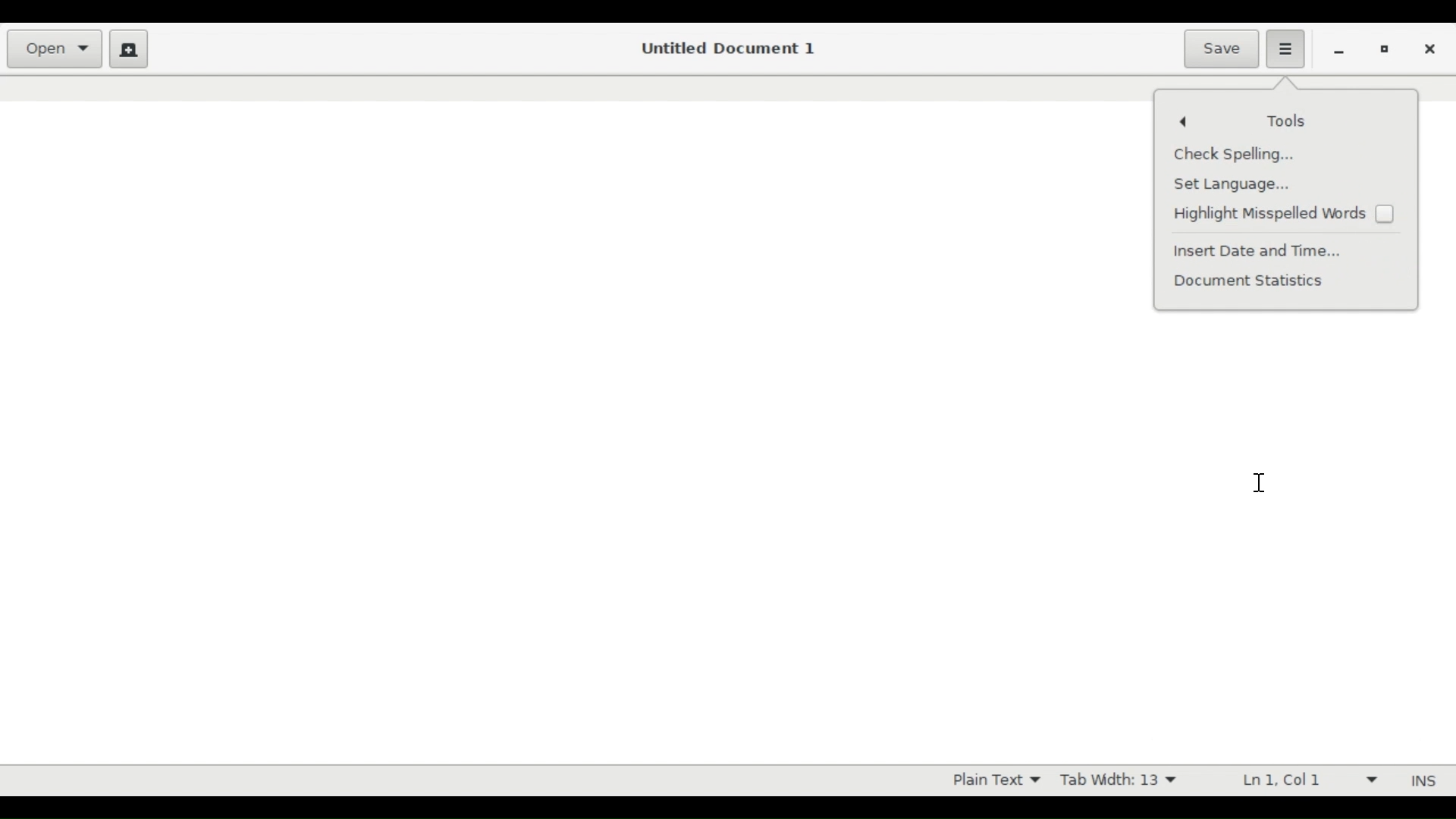 This screenshot has height=819, width=1456. Describe the element at coordinates (1386, 50) in the screenshot. I see `Restore` at that location.